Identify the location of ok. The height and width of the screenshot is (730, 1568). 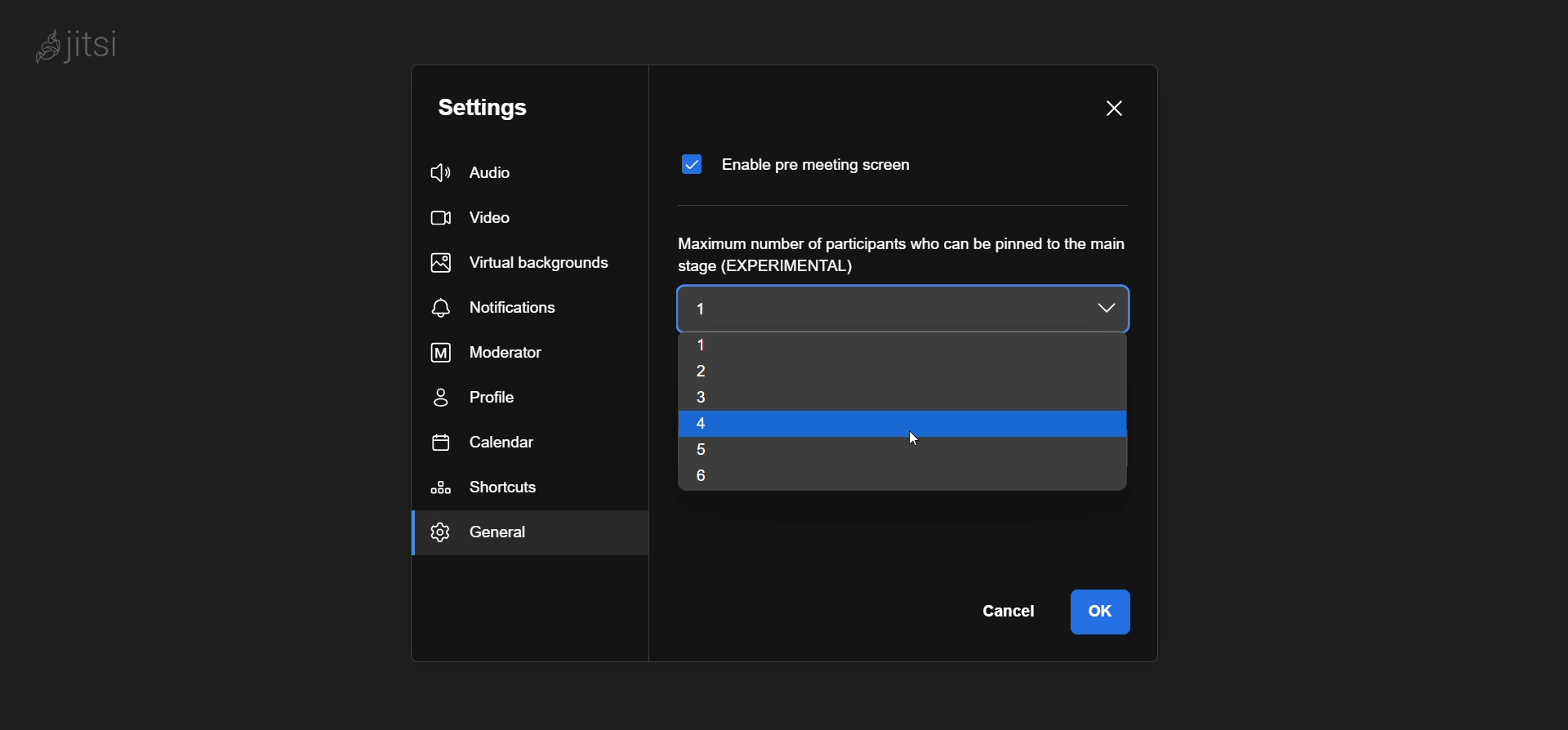
(1106, 610).